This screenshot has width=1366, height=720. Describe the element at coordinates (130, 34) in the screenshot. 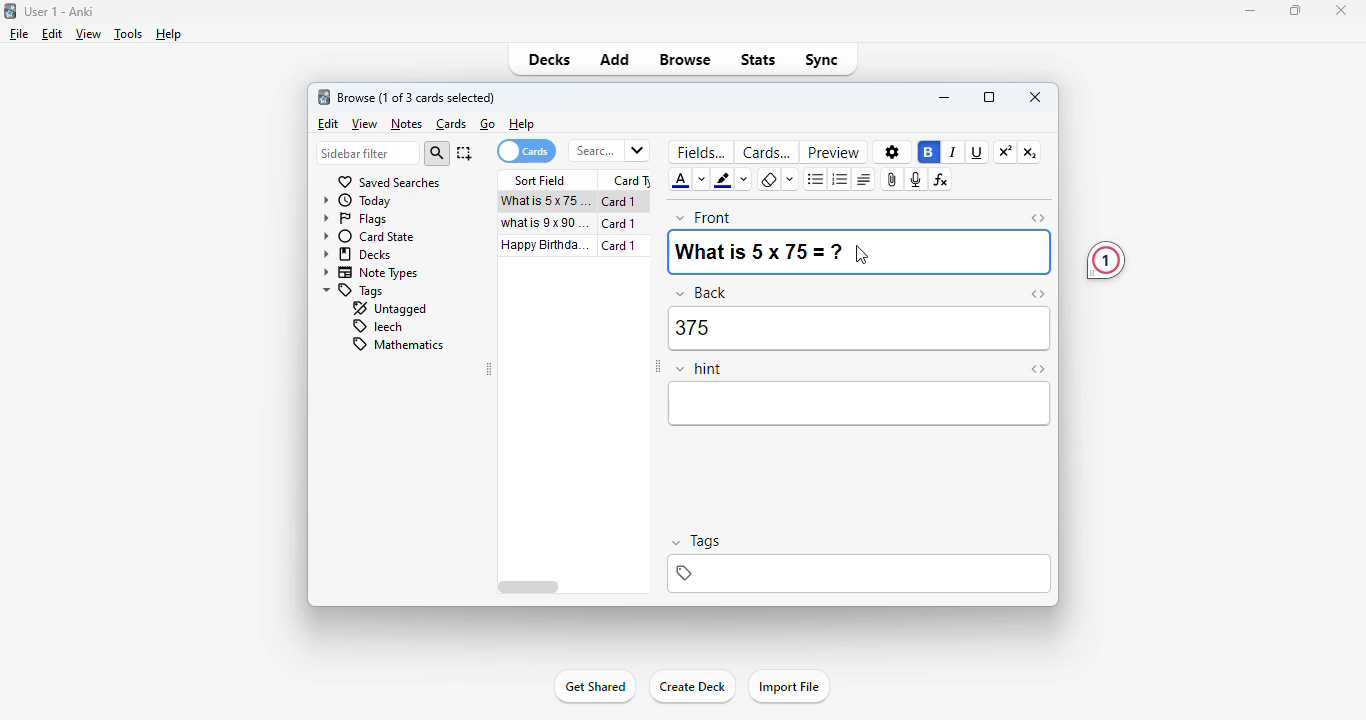

I see `tools` at that location.